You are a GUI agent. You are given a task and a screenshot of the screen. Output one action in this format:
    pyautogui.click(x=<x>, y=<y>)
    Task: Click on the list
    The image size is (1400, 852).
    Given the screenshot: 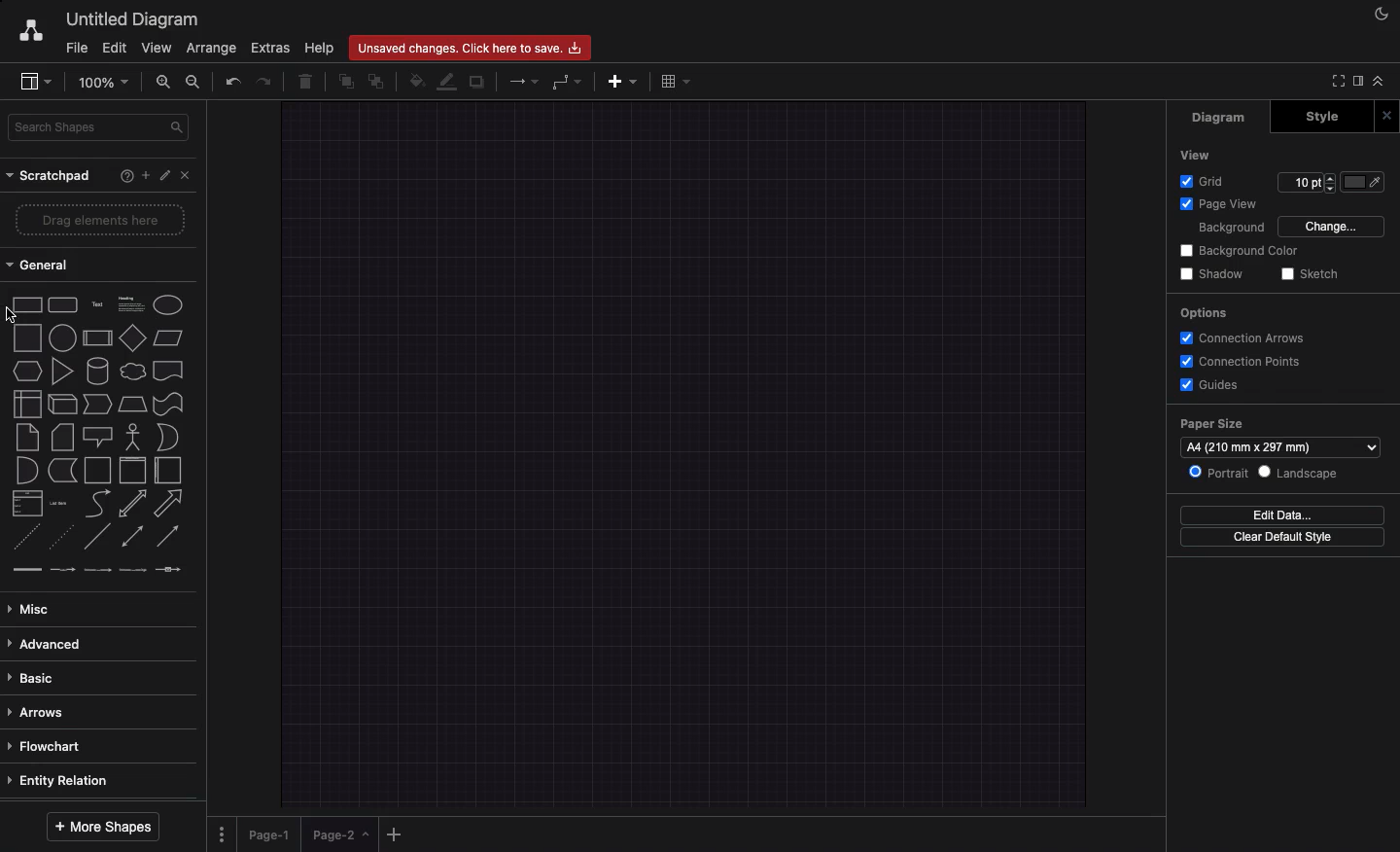 What is the action you would take?
    pyautogui.click(x=24, y=504)
    